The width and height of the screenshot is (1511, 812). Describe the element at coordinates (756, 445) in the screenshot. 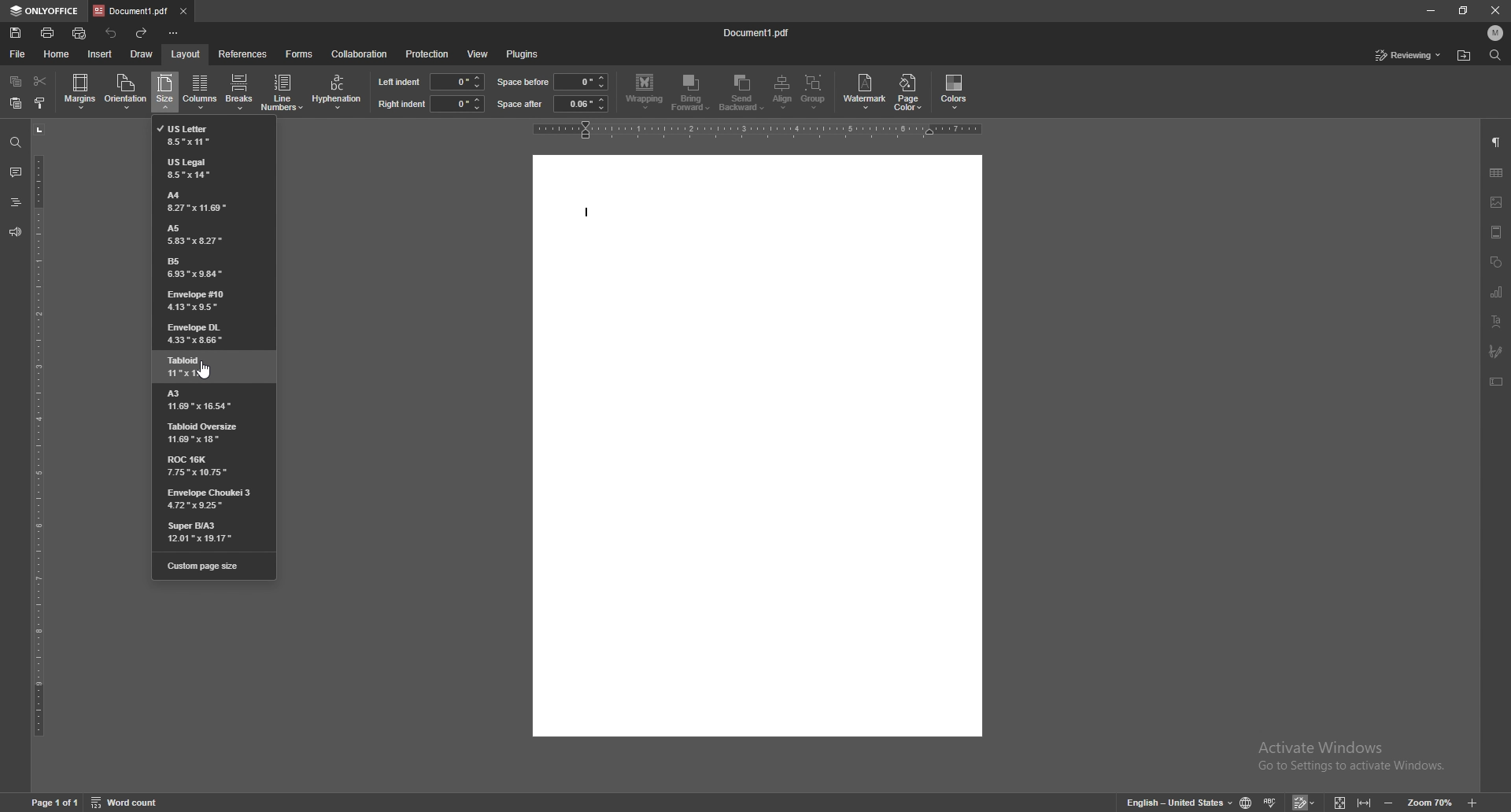

I see `document` at that location.